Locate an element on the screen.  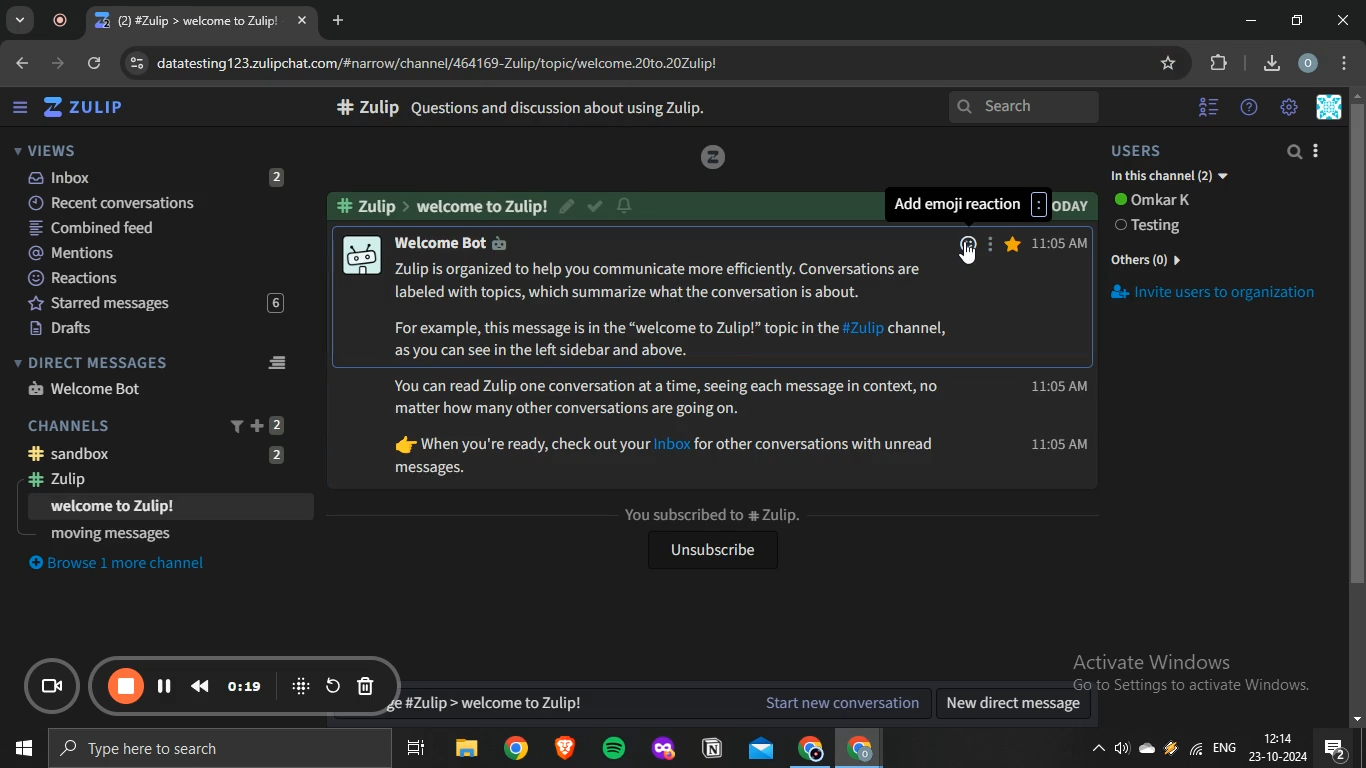
wifi is located at coordinates (1194, 754).